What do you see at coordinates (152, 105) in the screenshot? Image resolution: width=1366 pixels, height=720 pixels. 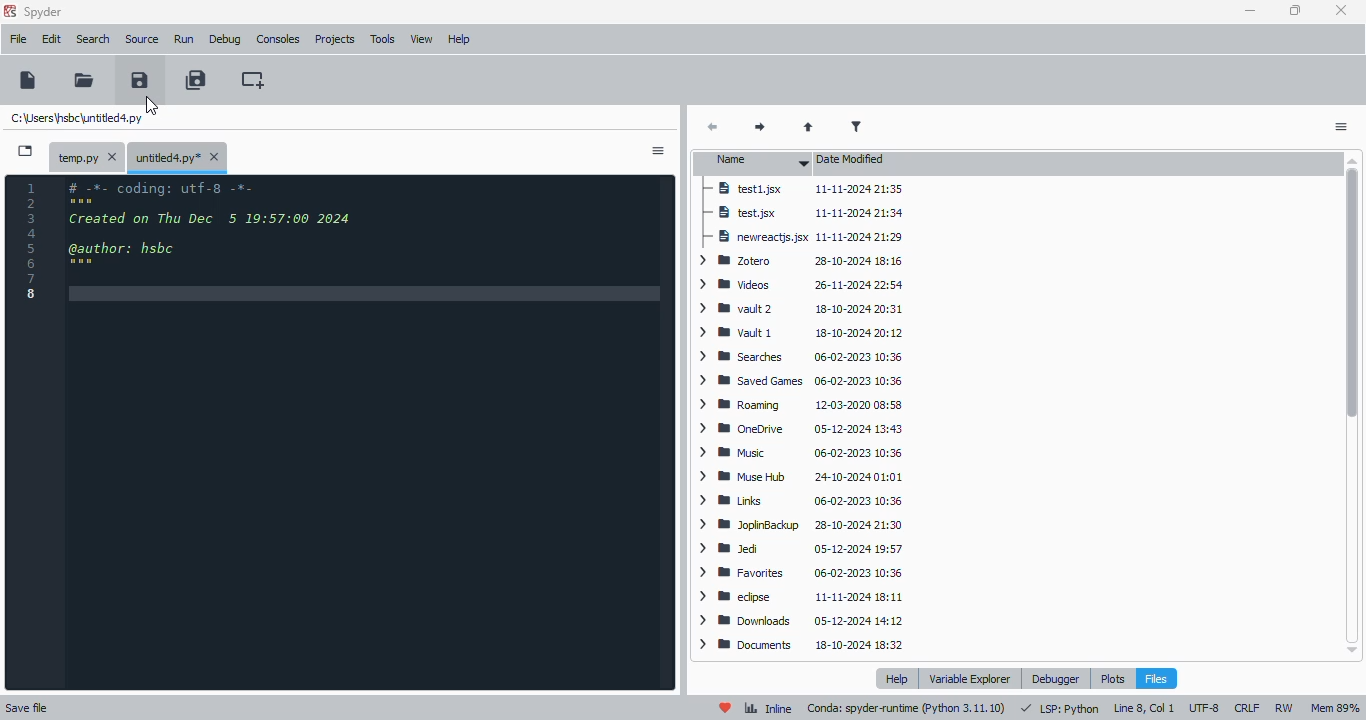 I see `cursor` at bounding box center [152, 105].